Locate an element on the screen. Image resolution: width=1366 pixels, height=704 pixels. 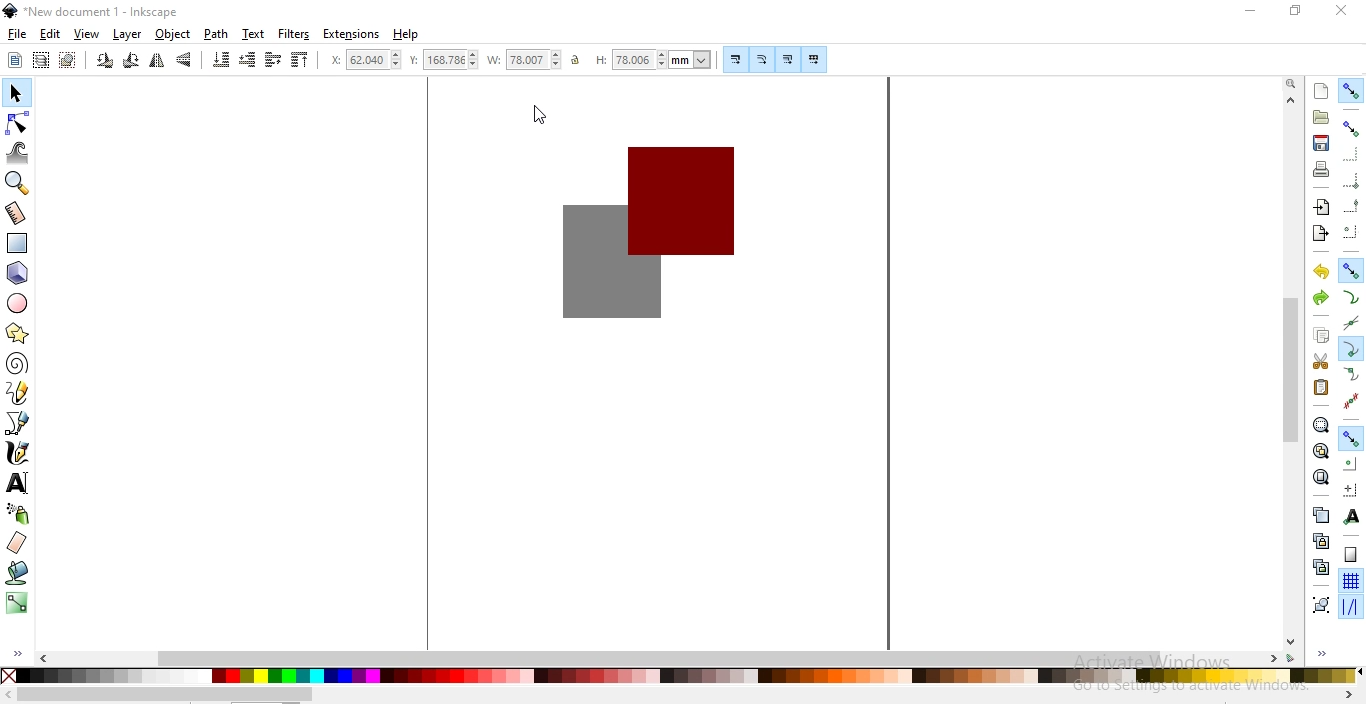
create and edit text objects is located at coordinates (17, 483).